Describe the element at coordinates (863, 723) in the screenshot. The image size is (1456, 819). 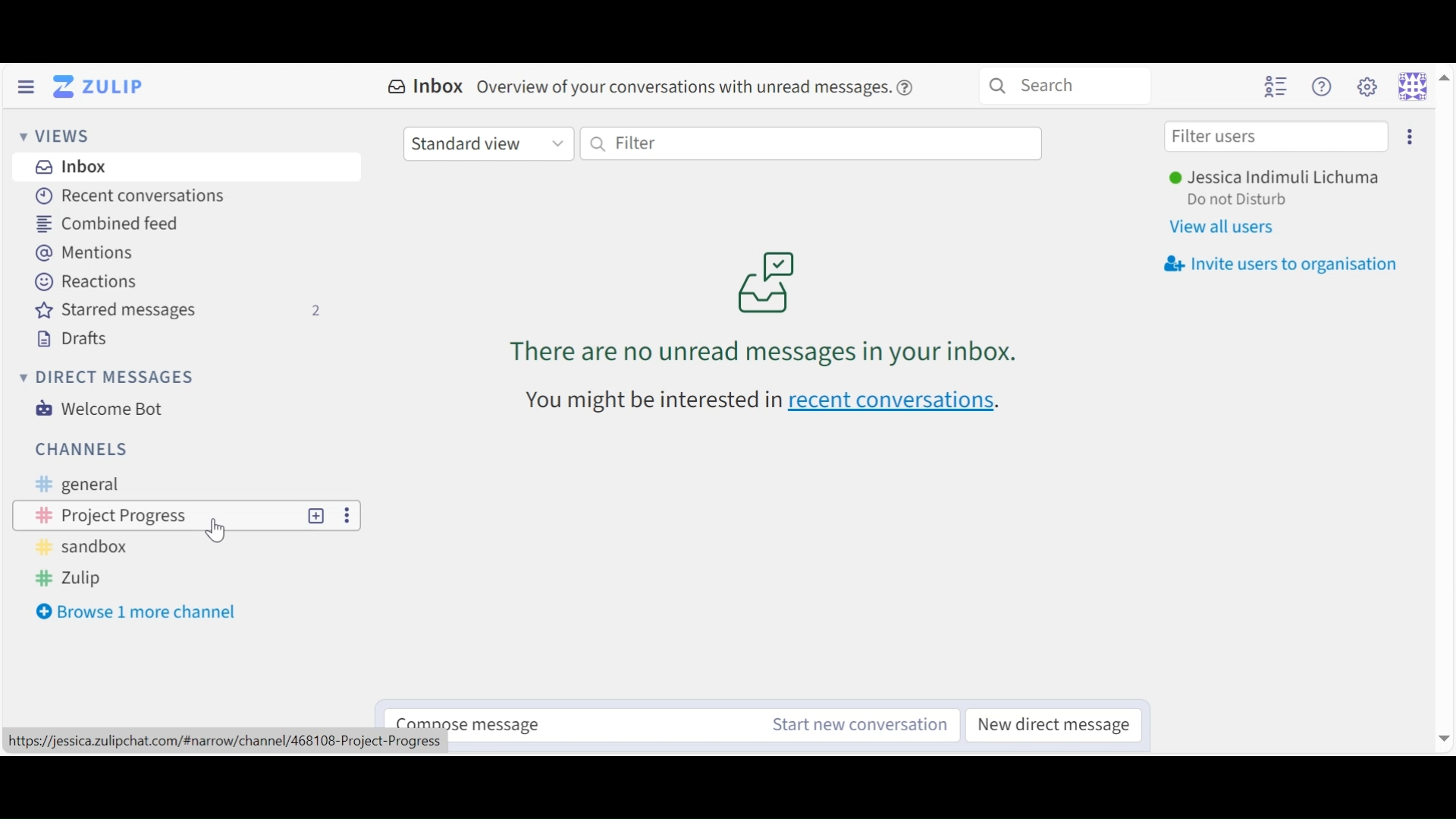
I see `Start new conversation` at that location.